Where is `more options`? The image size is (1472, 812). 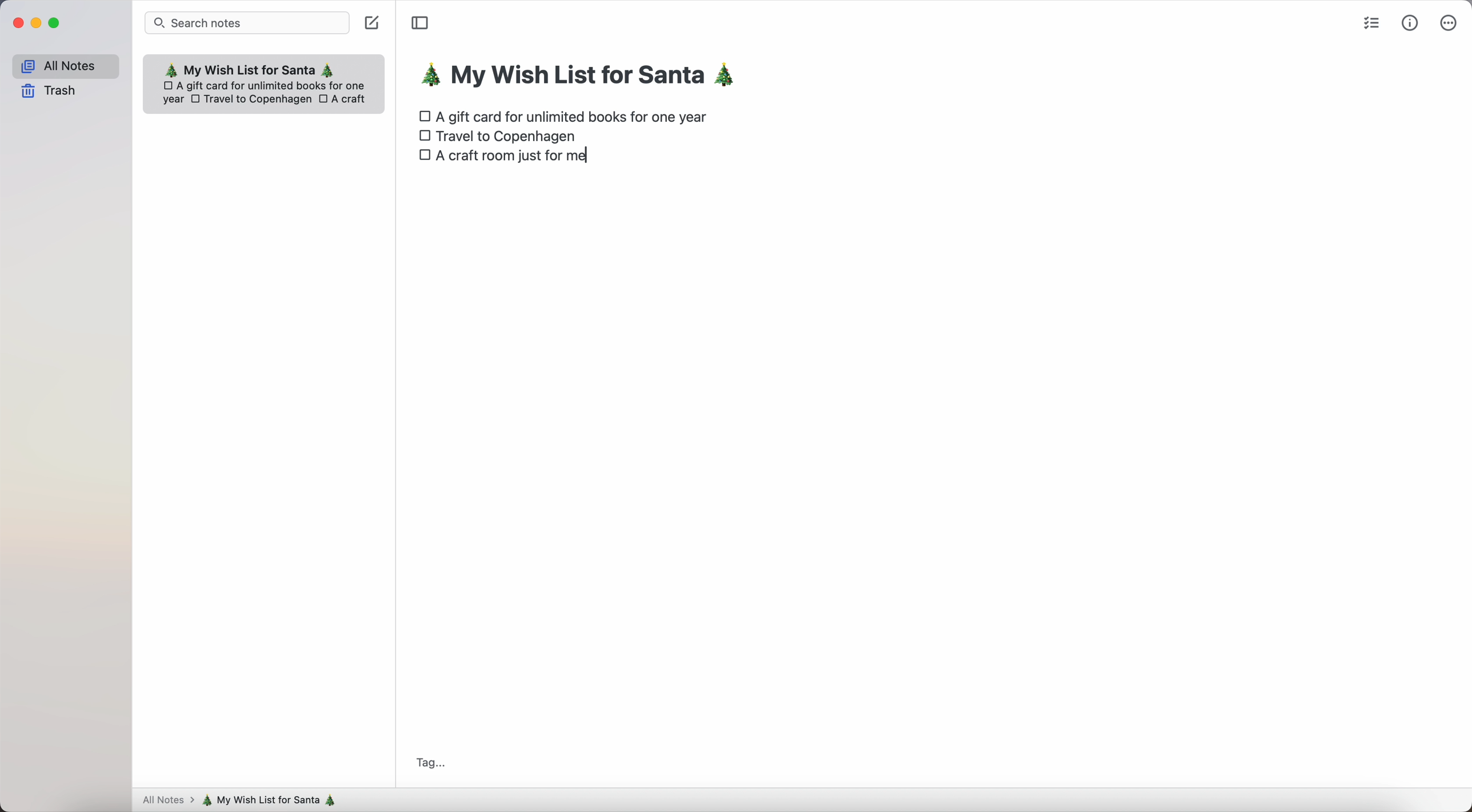 more options is located at coordinates (1448, 22).